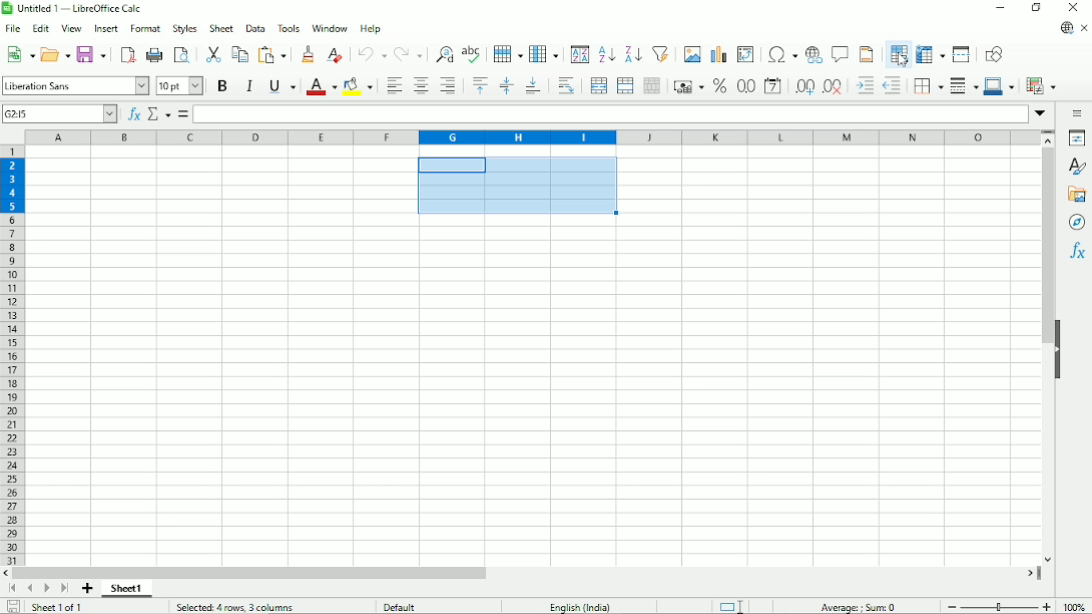 This screenshot has height=614, width=1092. I want to click on Formula, so click(183, 114).